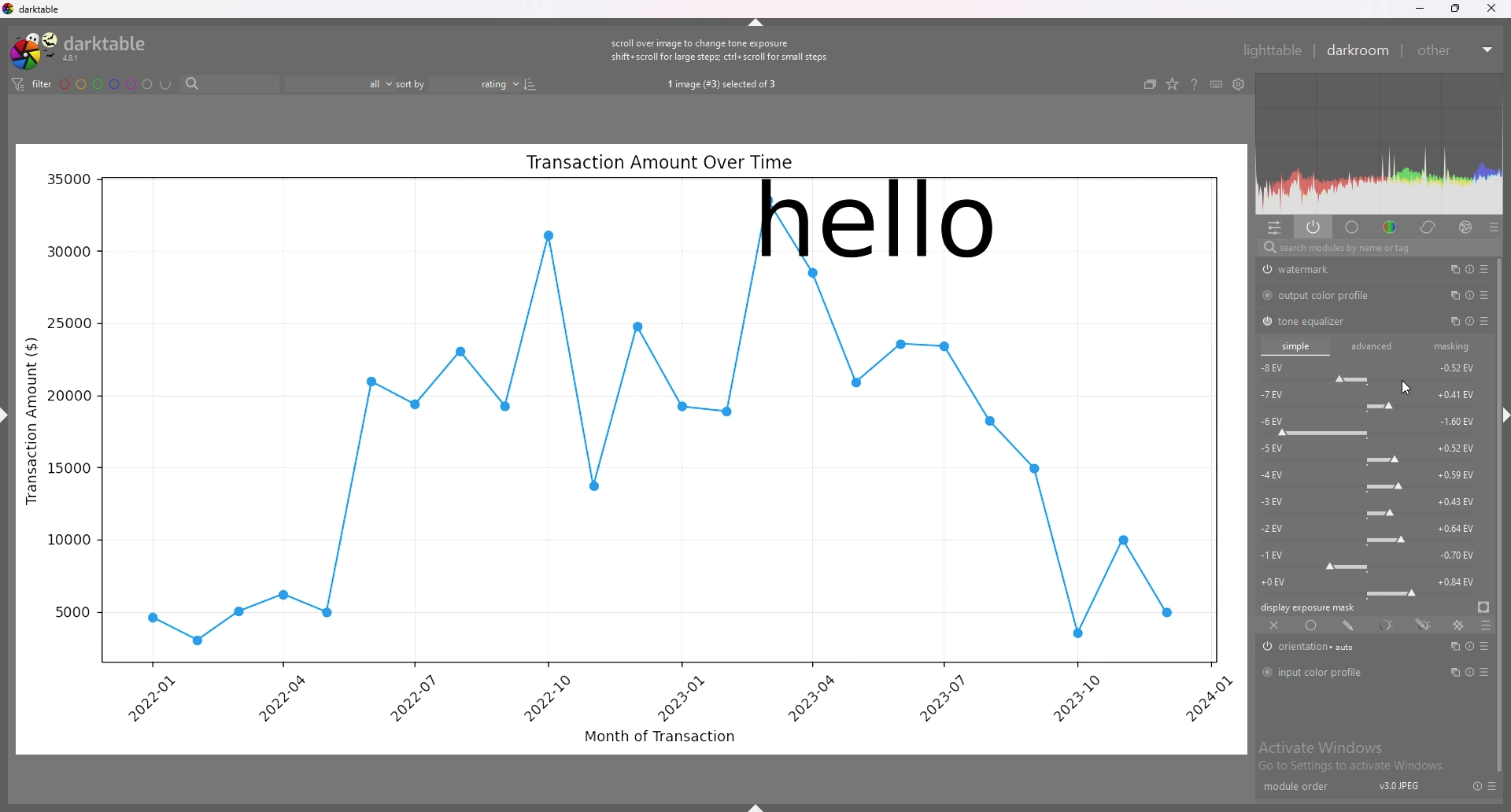 The image size is (1511, 812). What do you see at coordinates (66, 252) in the screenshot?
I see `30000` at bounding box center [66, 252].